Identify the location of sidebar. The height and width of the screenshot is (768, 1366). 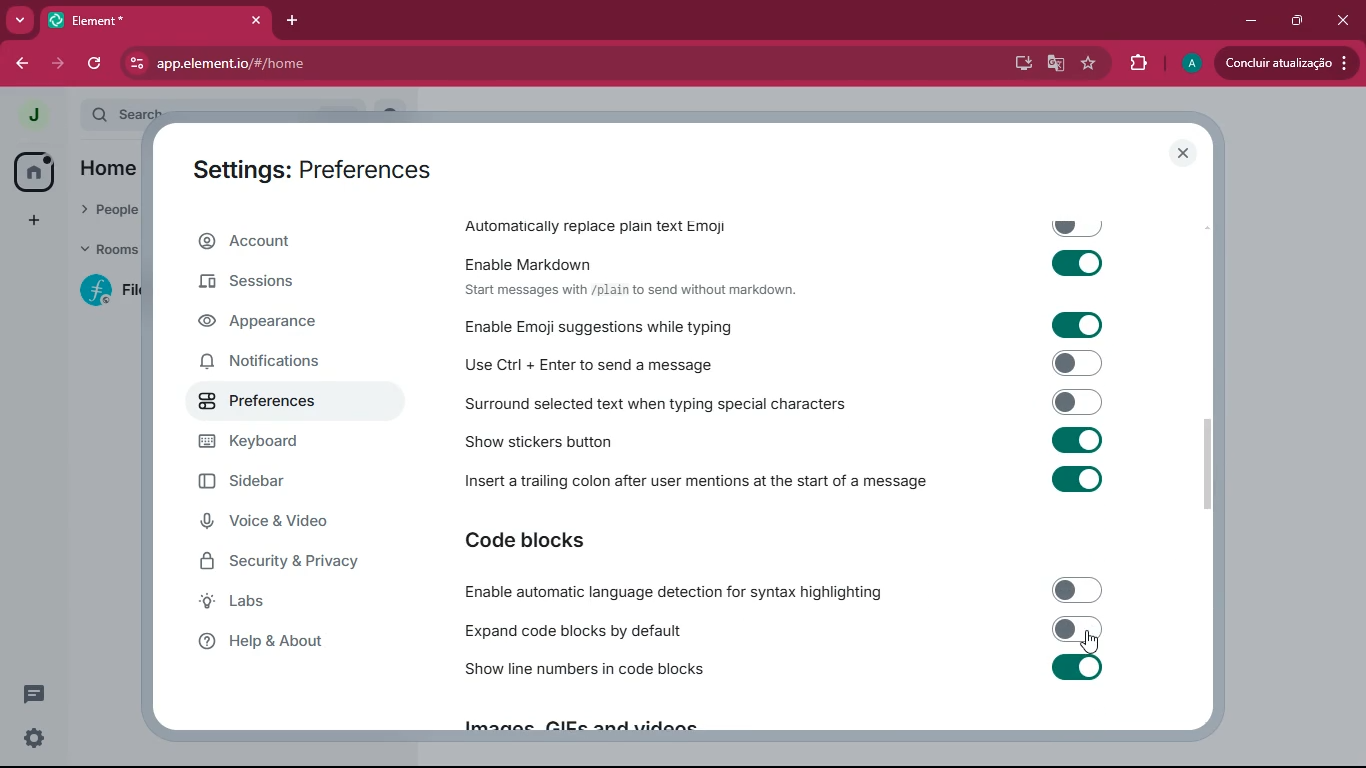
(278, 481).